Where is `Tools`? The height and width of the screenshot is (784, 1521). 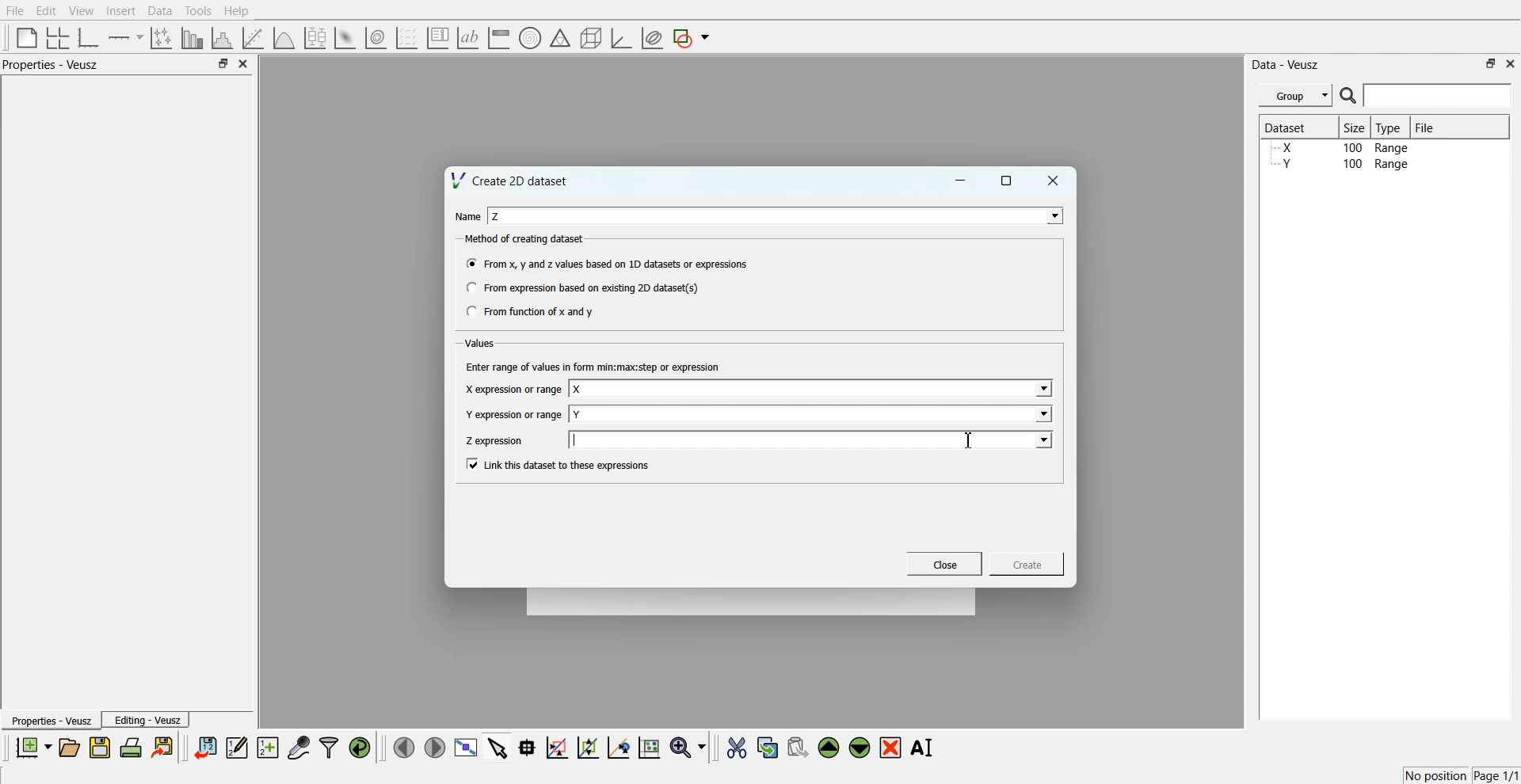 Tools is located at coordinates (199, 11).